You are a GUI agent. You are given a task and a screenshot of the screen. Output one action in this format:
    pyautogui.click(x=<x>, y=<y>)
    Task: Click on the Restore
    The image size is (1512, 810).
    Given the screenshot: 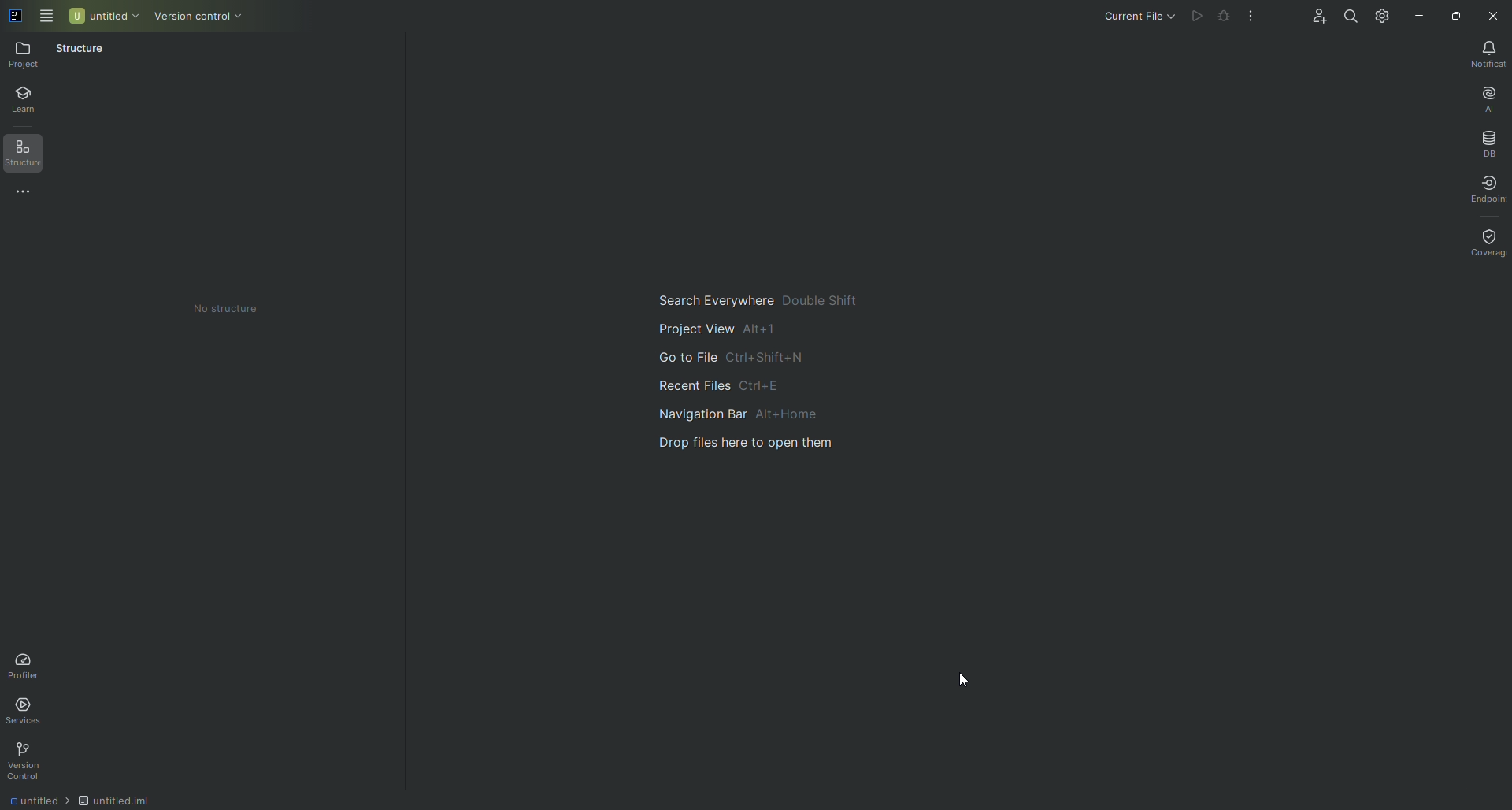 What is the action you would take?
    pyautogui.click(x=1454, y=14)
    